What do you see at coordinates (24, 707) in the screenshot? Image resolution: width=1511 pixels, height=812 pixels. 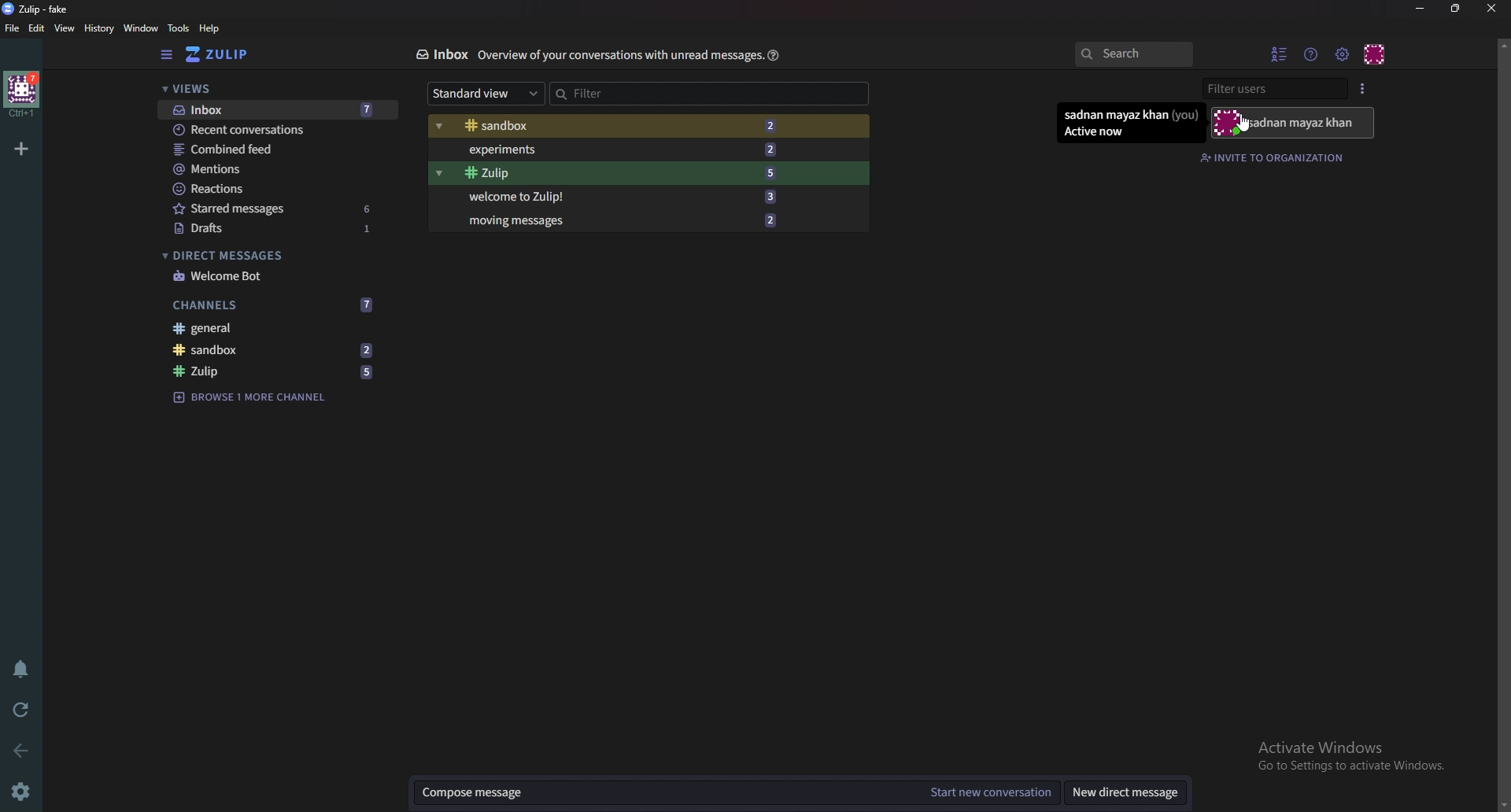 I see `Reload` at bounding box center [24, 707].